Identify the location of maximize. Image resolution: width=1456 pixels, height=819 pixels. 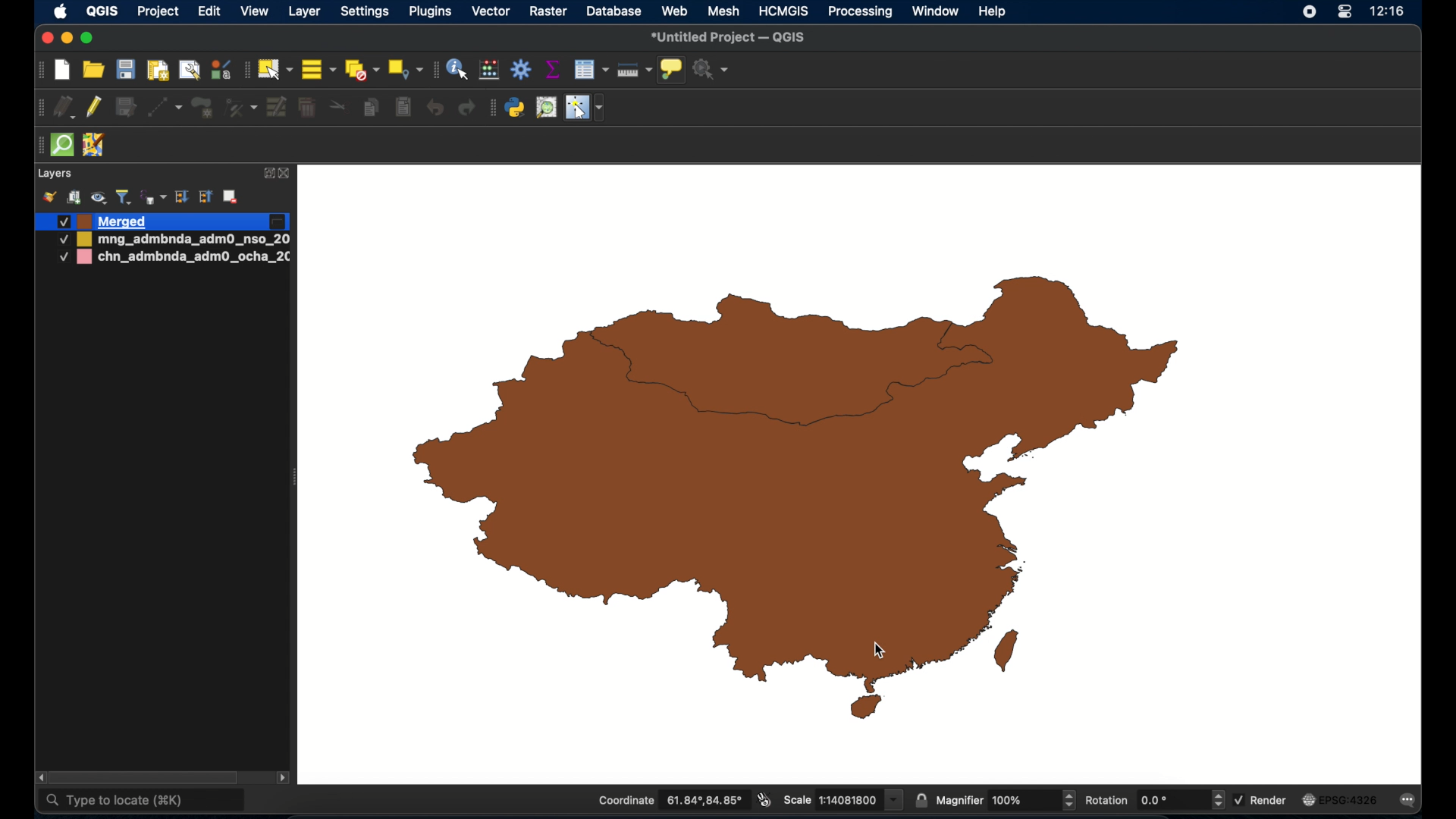
(87, 39).